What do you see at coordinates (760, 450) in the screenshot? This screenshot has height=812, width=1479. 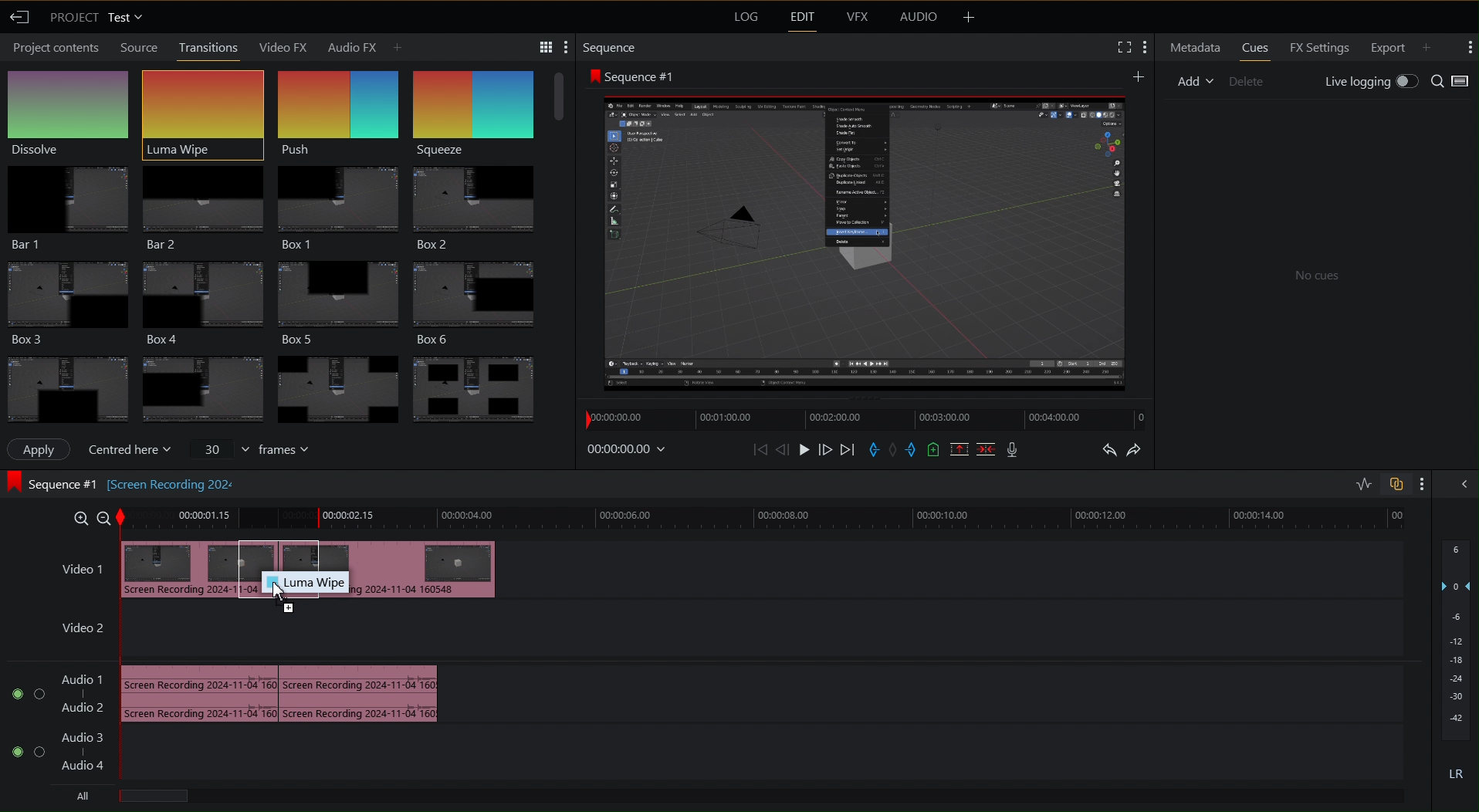 I see `Skip Back` at bounding box center [760, 450].